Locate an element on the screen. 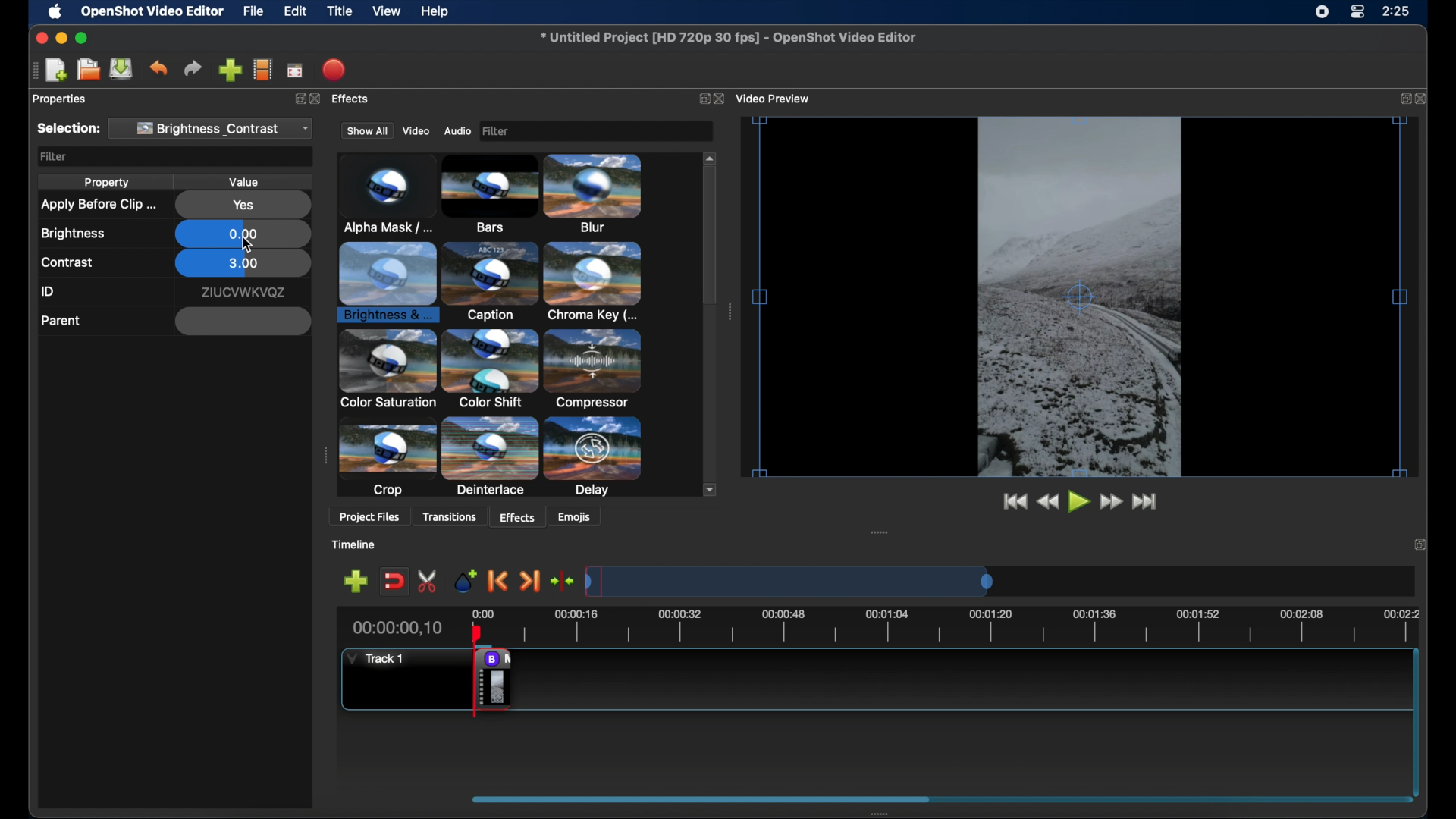 Image resolution: width=1456 pixels, height=819 pixels. close is located at coordinates (723, 99).